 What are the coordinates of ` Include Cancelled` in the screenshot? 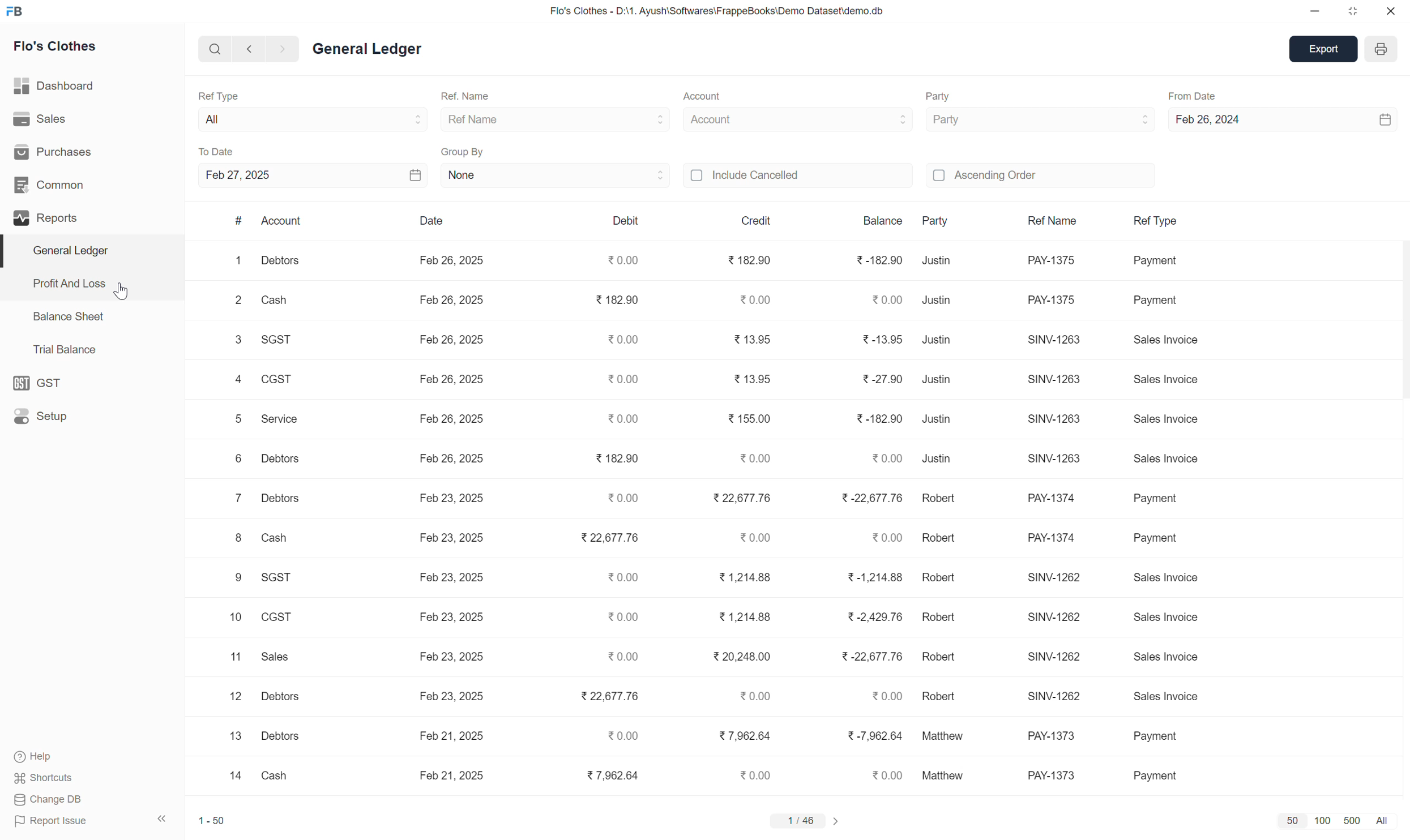 It's located at (759, 178).